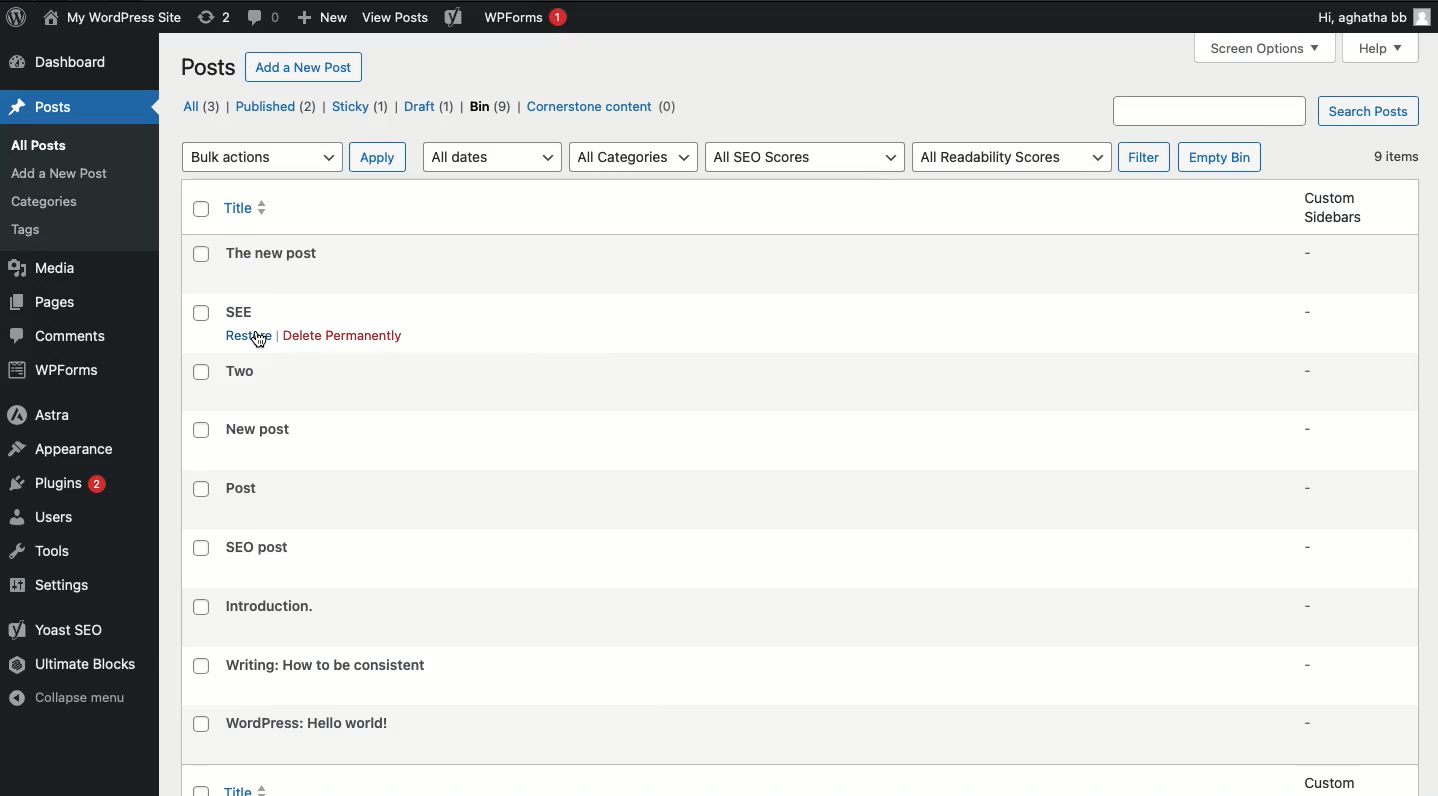 The height and width of the screenshot is (796, 1438). Describe the element at coordinates (201, 666) in the screenshot. I see `Checkbox` at that location.